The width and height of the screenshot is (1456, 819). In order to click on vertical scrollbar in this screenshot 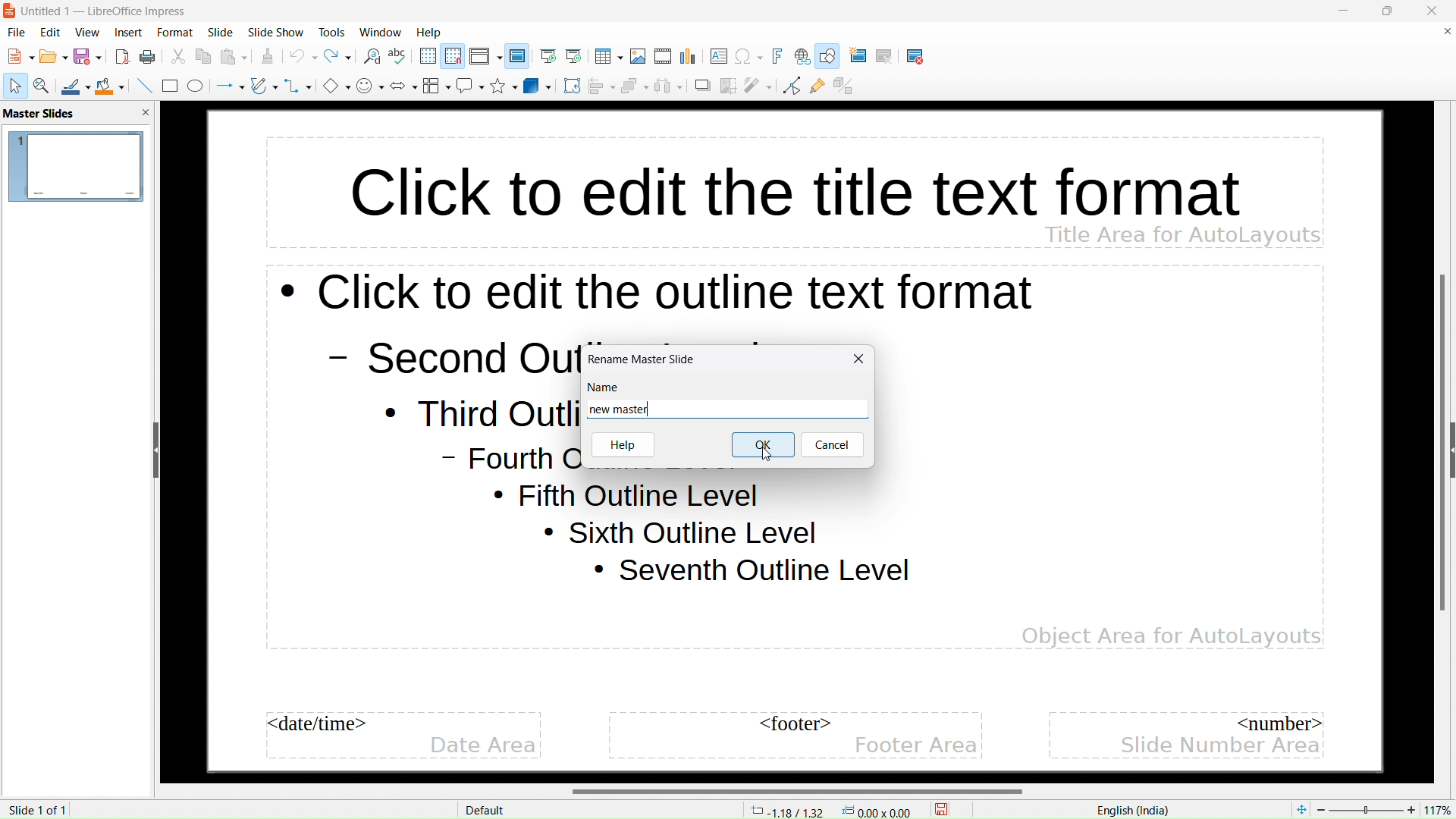, I will do `click(1440, 443)`.